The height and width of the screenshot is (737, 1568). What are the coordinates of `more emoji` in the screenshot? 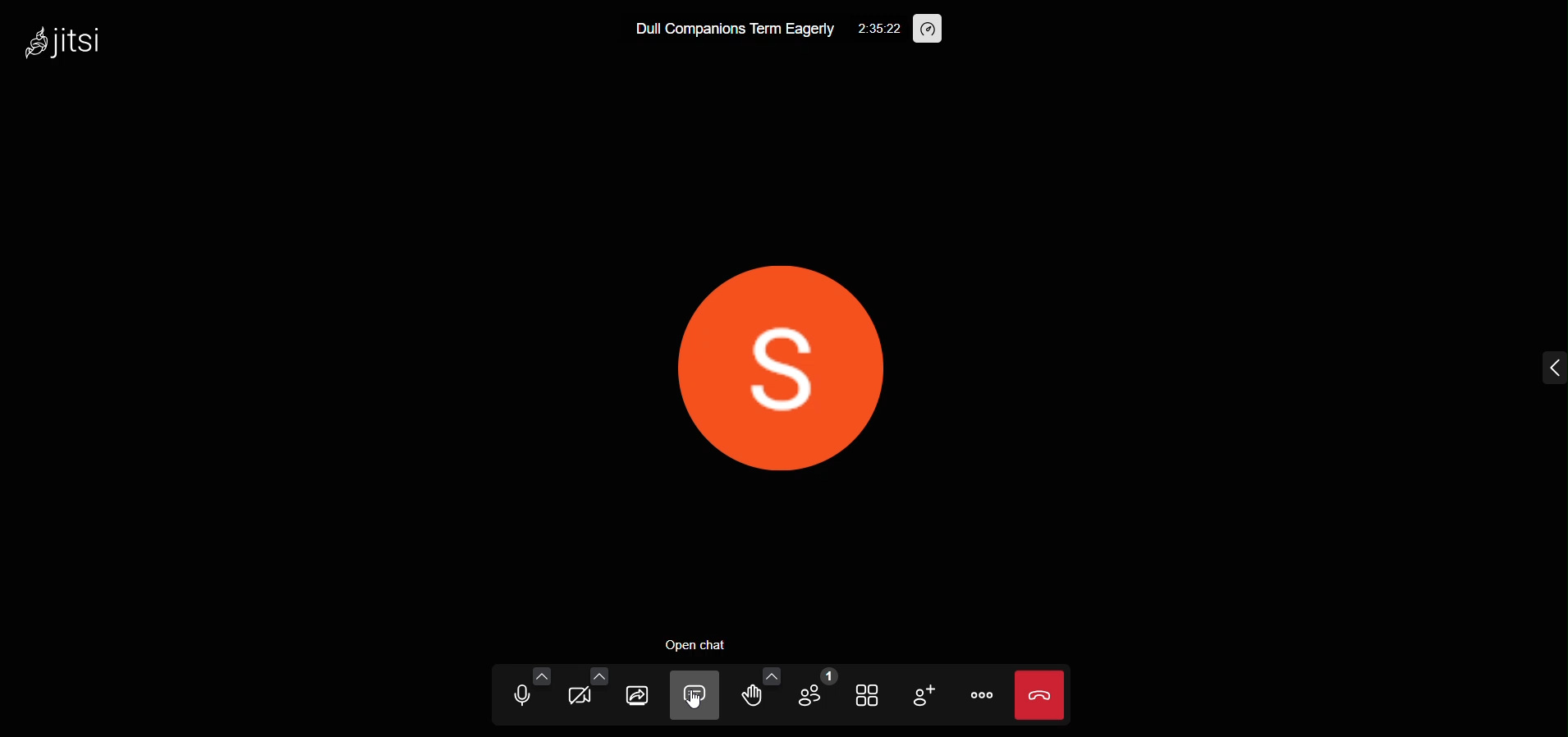 It's located at (770, 675).